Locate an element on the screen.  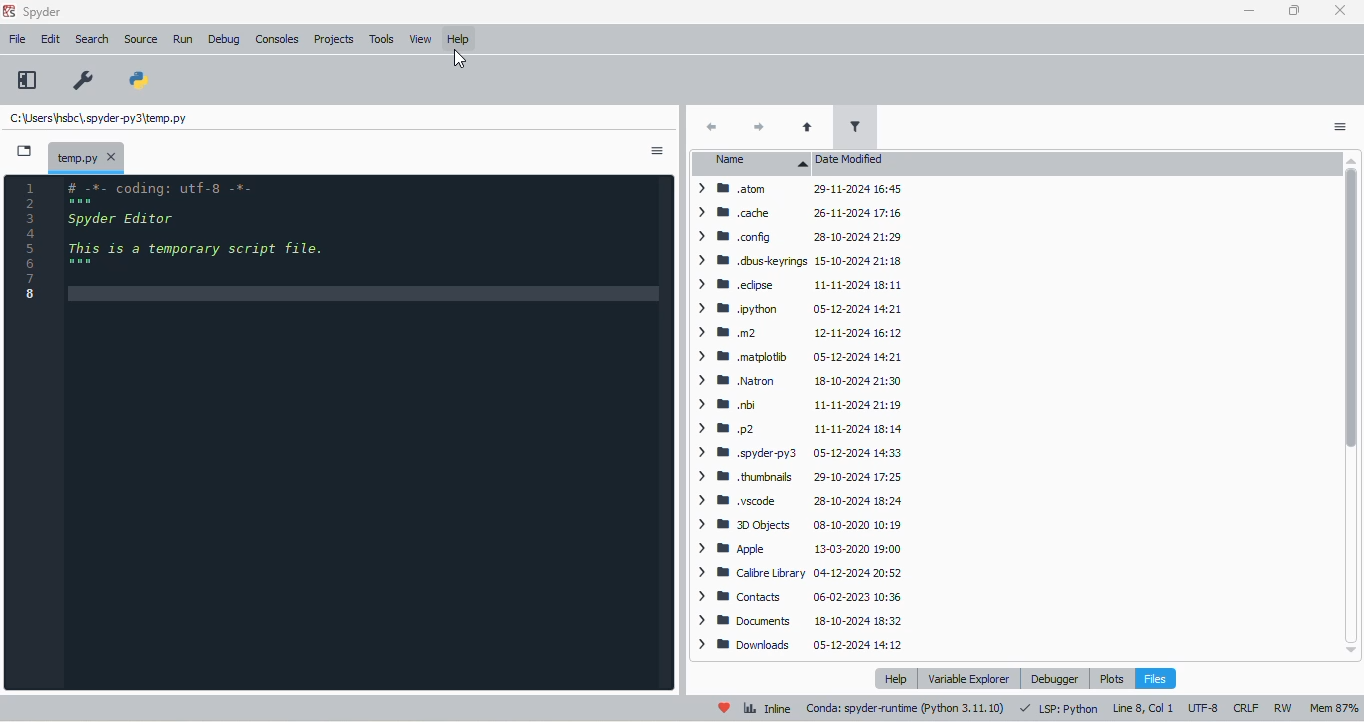
view is located at coordinates (421, 39).